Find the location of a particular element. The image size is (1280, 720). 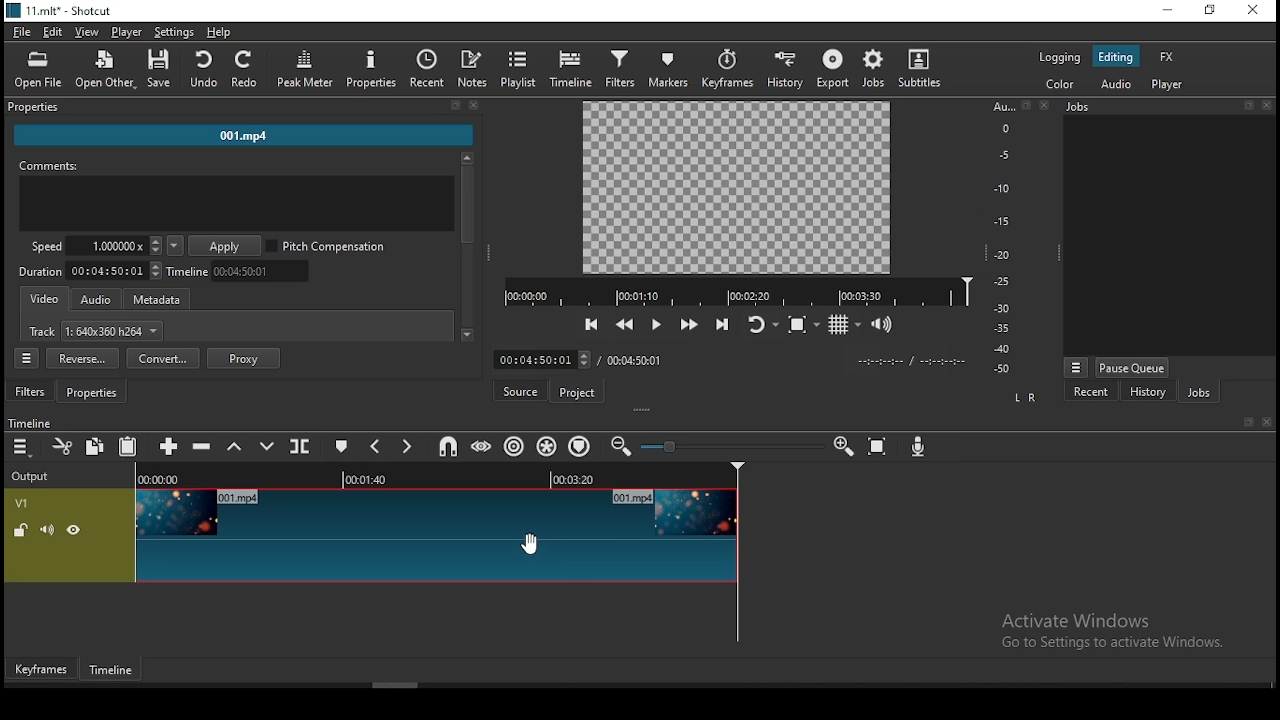

view is located at coordinates (87, 32).